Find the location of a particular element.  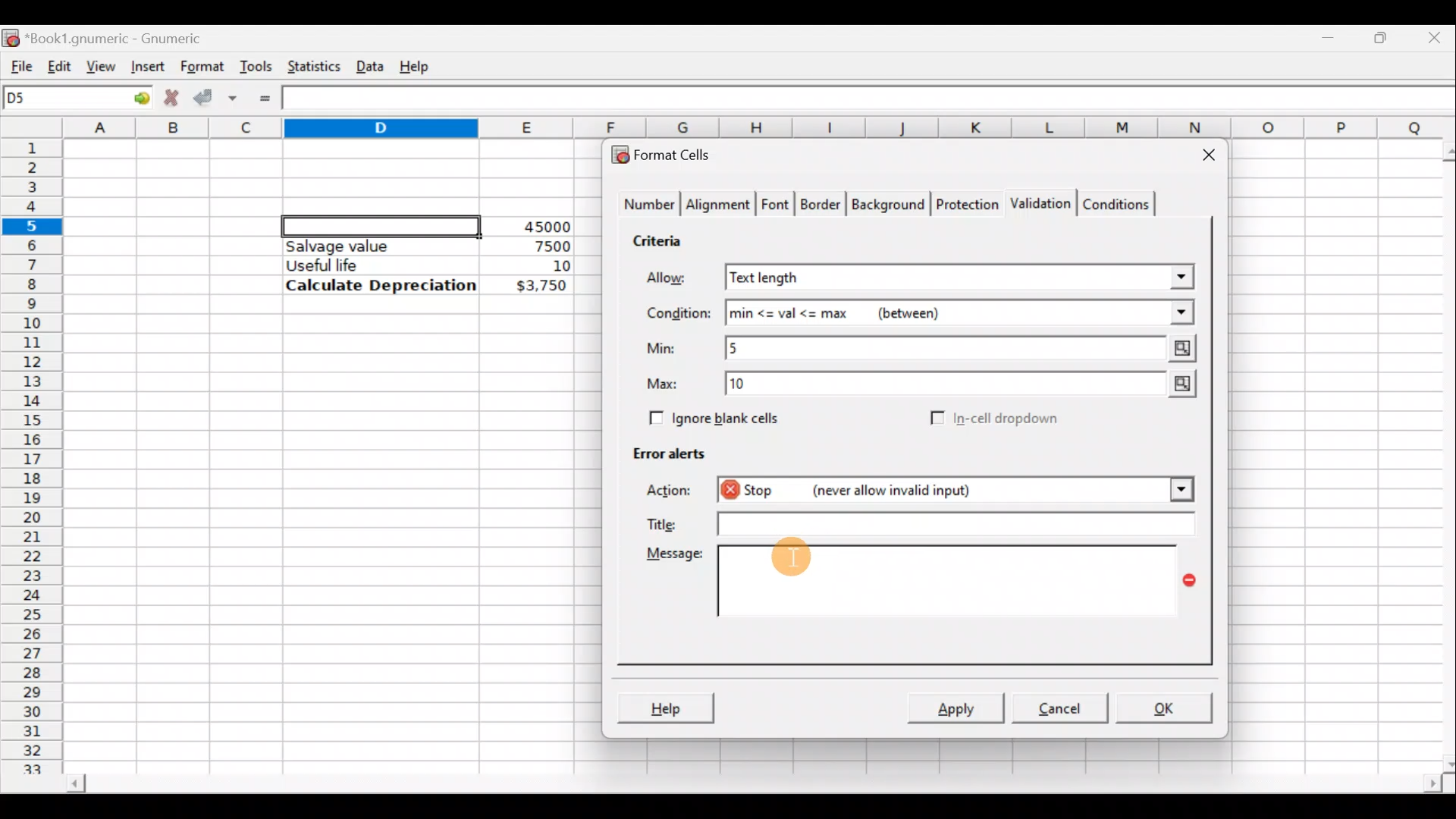

$3,750 is located at coordinates (540, 287).